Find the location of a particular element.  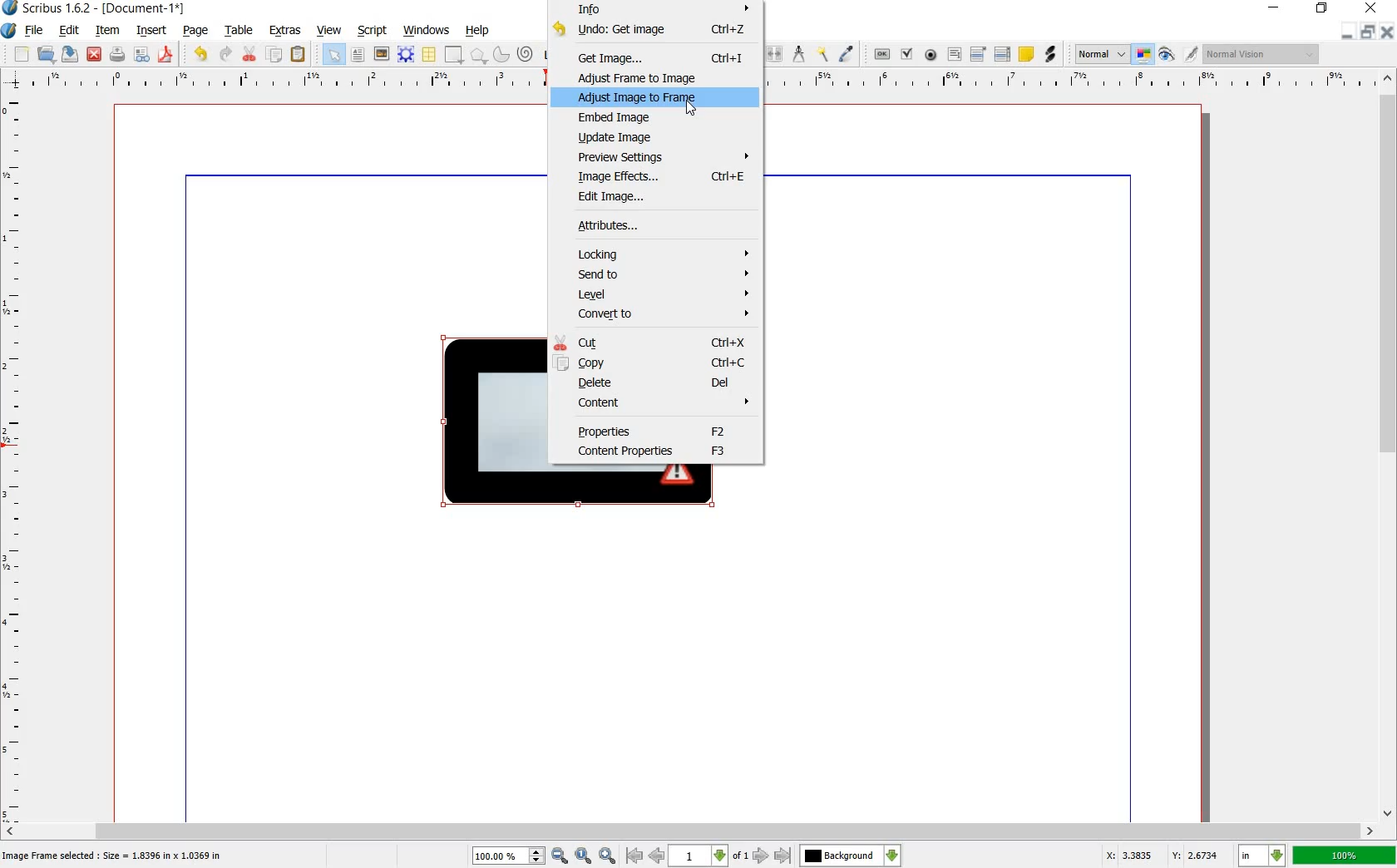

minimize is located at coordinates (1275, 8).